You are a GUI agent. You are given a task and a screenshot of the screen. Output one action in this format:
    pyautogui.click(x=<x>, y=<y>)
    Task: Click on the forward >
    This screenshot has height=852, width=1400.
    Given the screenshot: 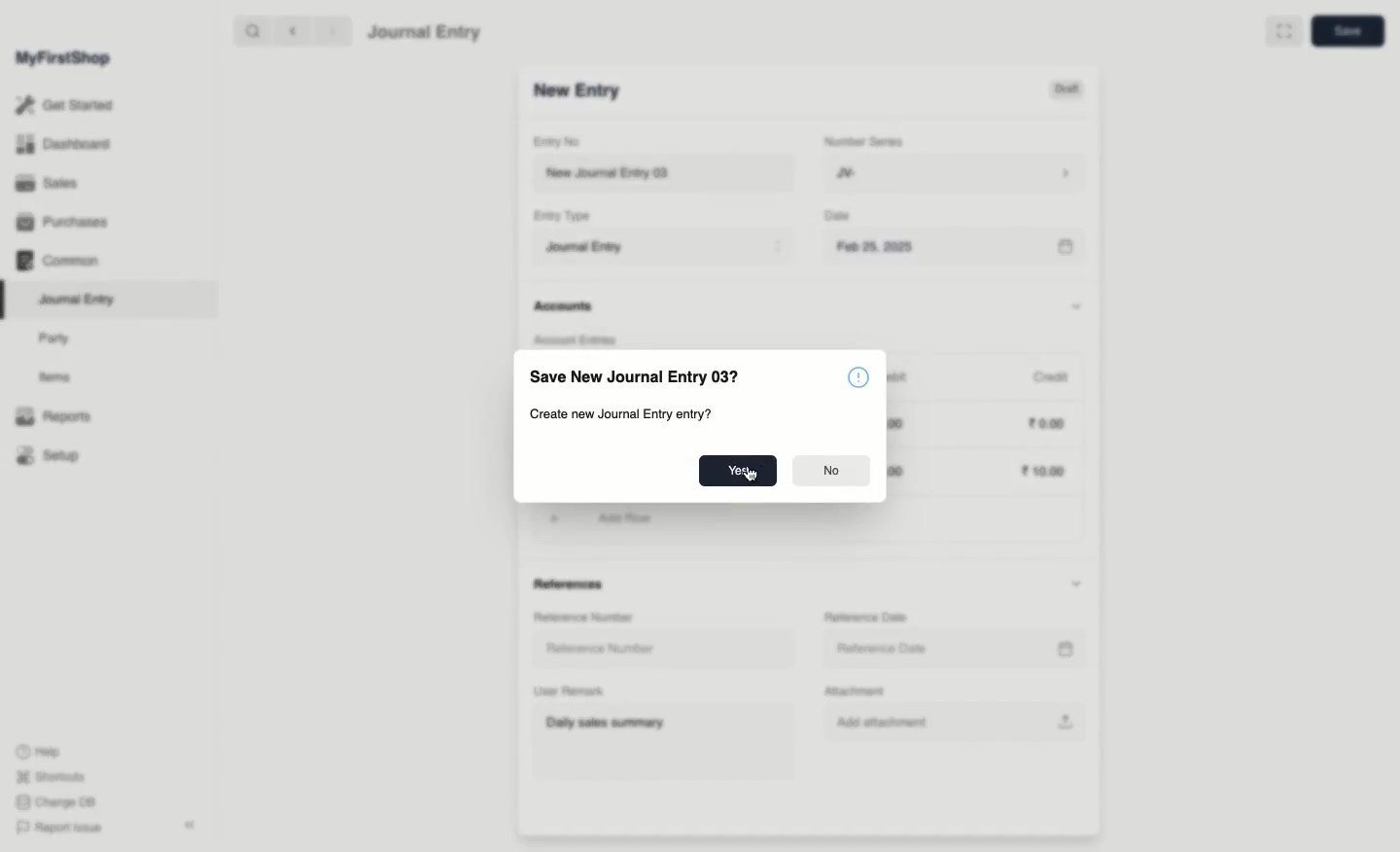 What is the action you would take?
    pyautogui.click(x=328, y=30)
    